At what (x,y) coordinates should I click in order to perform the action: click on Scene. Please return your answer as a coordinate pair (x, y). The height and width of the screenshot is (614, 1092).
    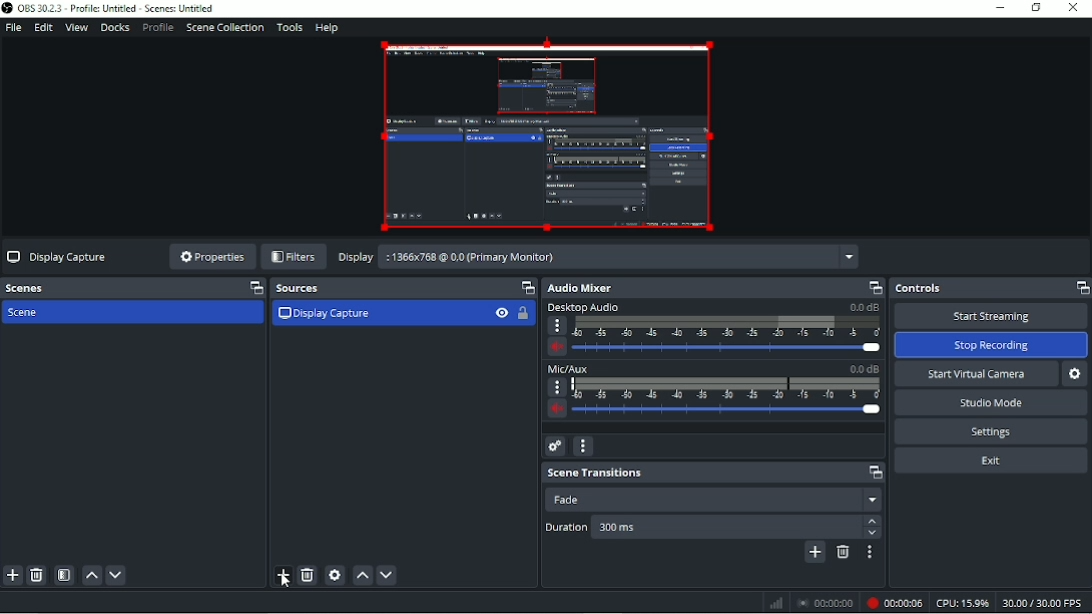
    Looking at the image, I should click on (29, 314).